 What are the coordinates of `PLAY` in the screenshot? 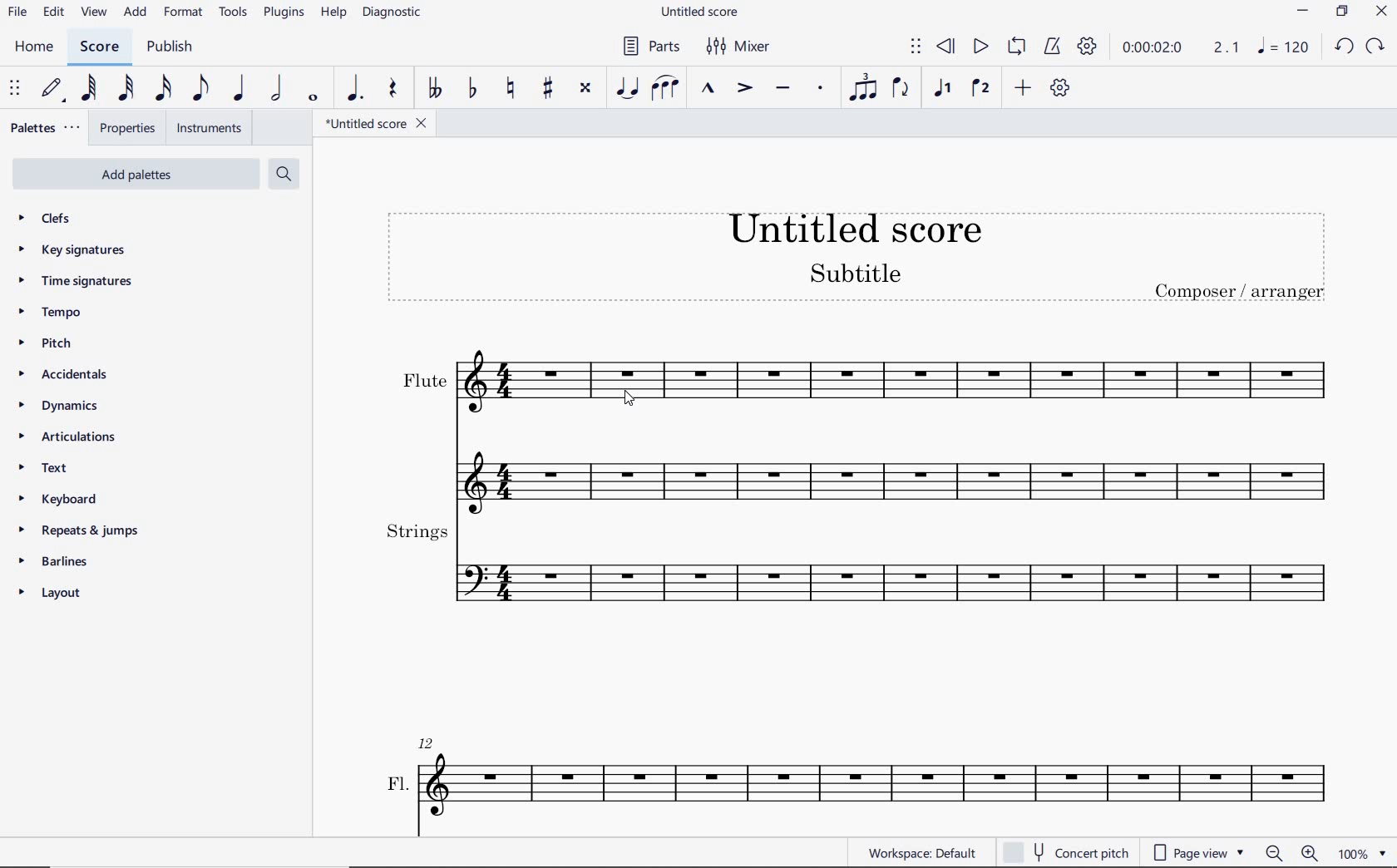 It's located at (977, 47).